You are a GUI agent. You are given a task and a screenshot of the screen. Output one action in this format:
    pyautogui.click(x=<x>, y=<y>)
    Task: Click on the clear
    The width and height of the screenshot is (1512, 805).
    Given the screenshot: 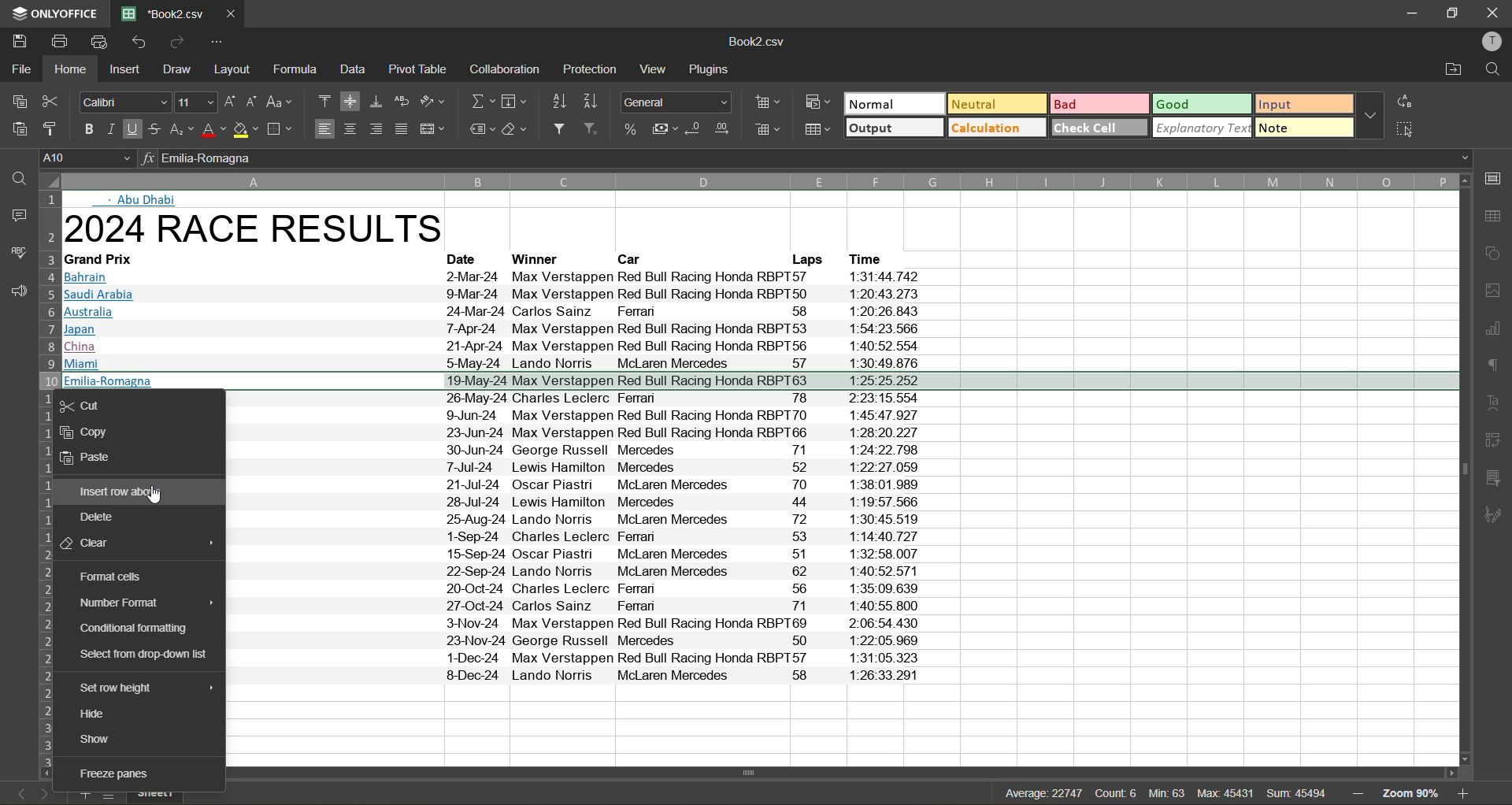 What is the action you would take?
    pyautogui.click(x=135, y=544)
    